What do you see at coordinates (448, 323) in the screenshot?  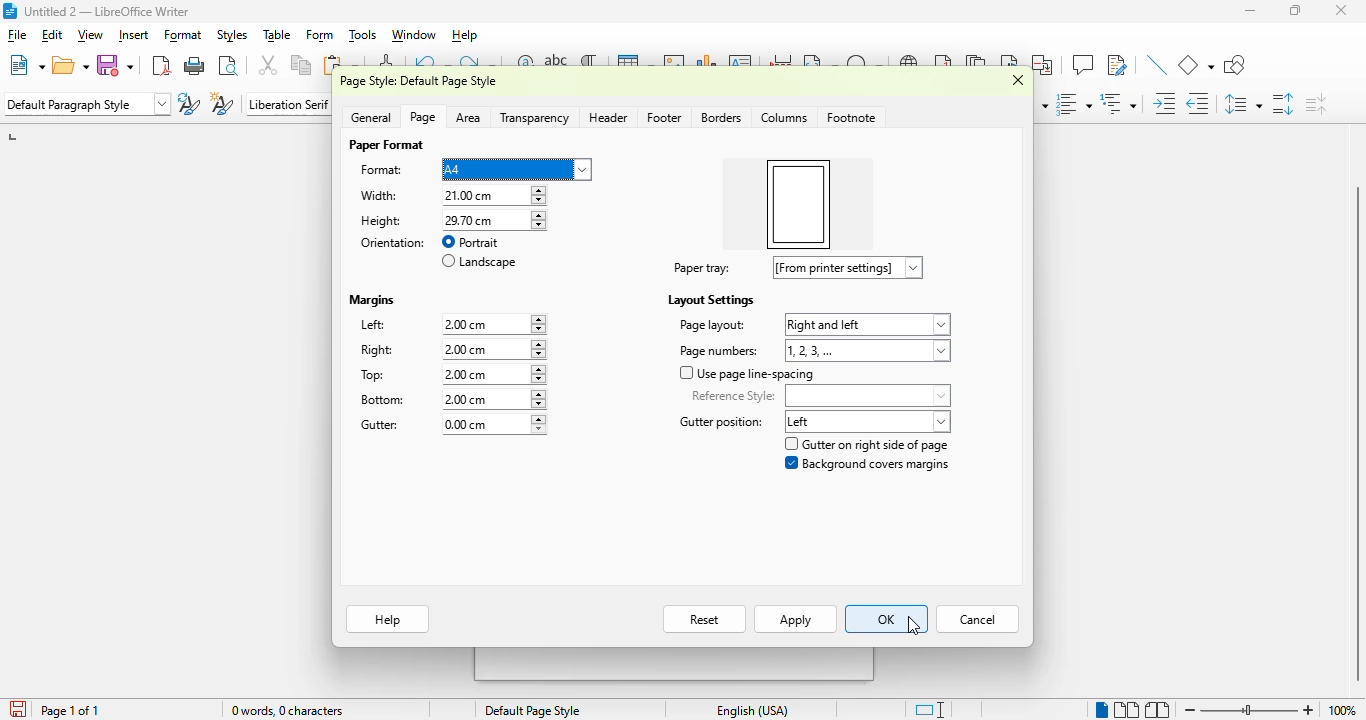 I see `left: 2.00cm` at bounding box center [448, 323].